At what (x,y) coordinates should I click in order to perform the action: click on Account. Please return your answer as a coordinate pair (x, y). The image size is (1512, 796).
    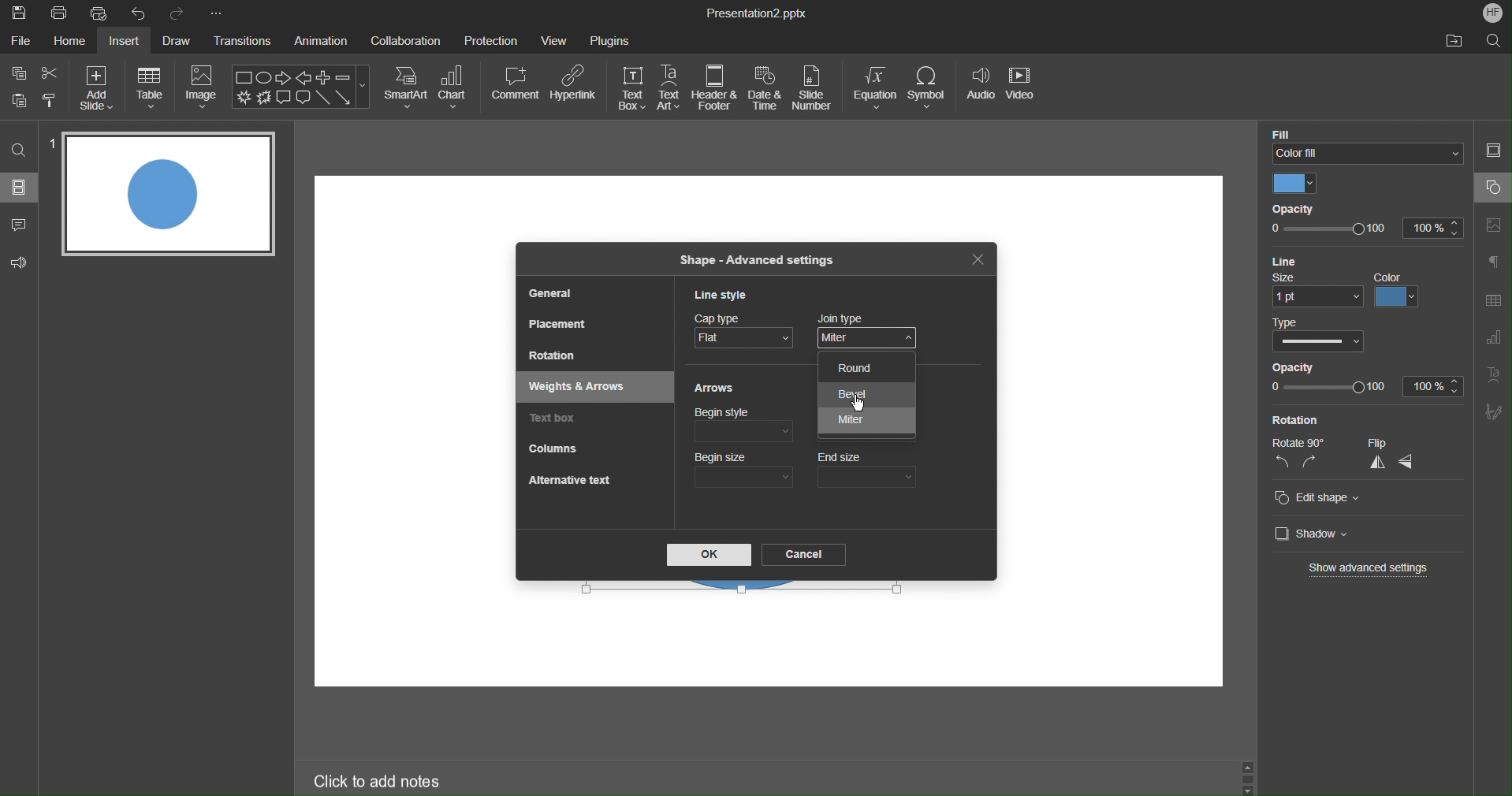
    Looking at the image, I should click on (1490, 12).